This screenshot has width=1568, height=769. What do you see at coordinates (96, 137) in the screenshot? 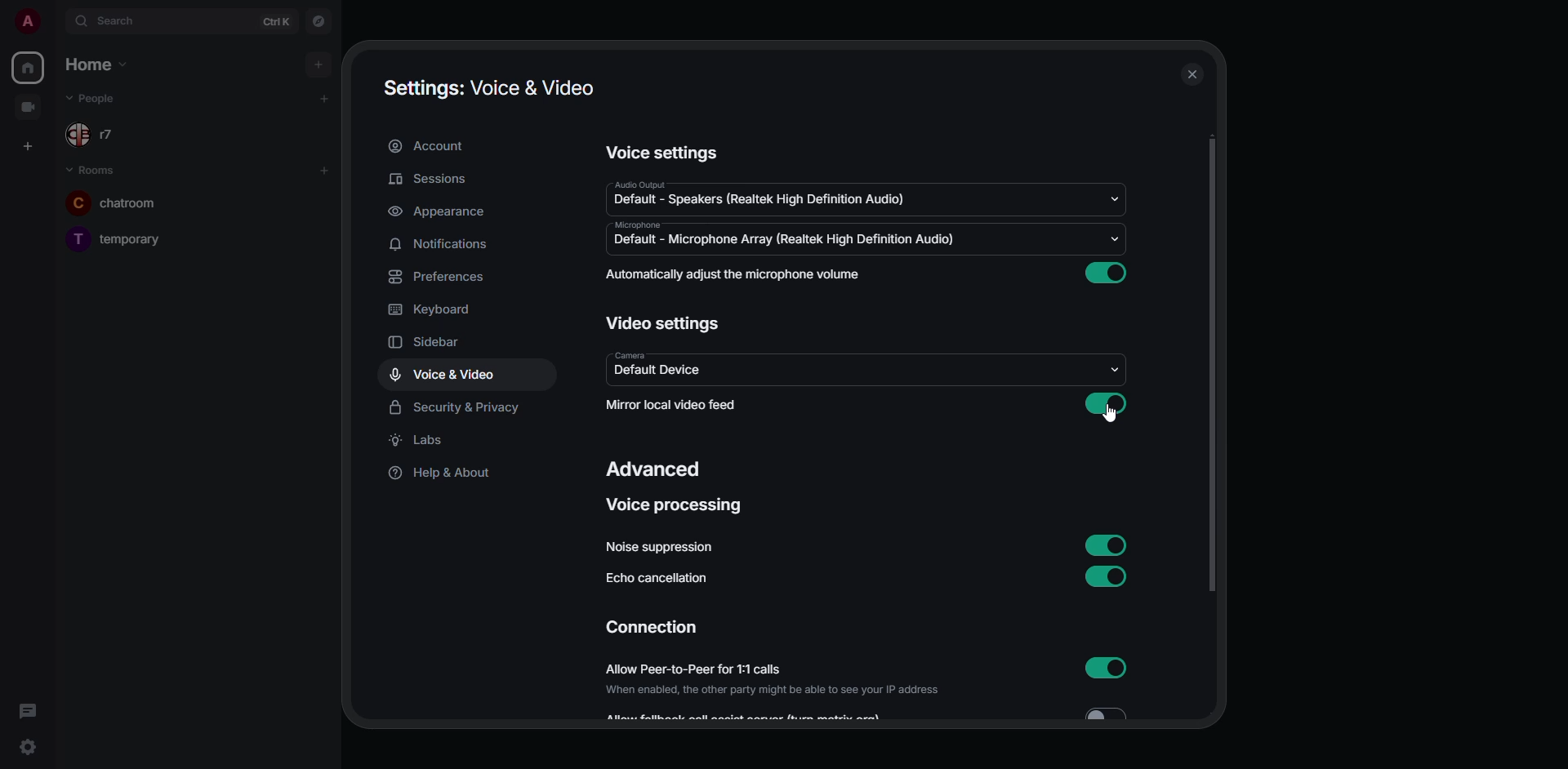
I see `r7` at bounding box center [96, 137].